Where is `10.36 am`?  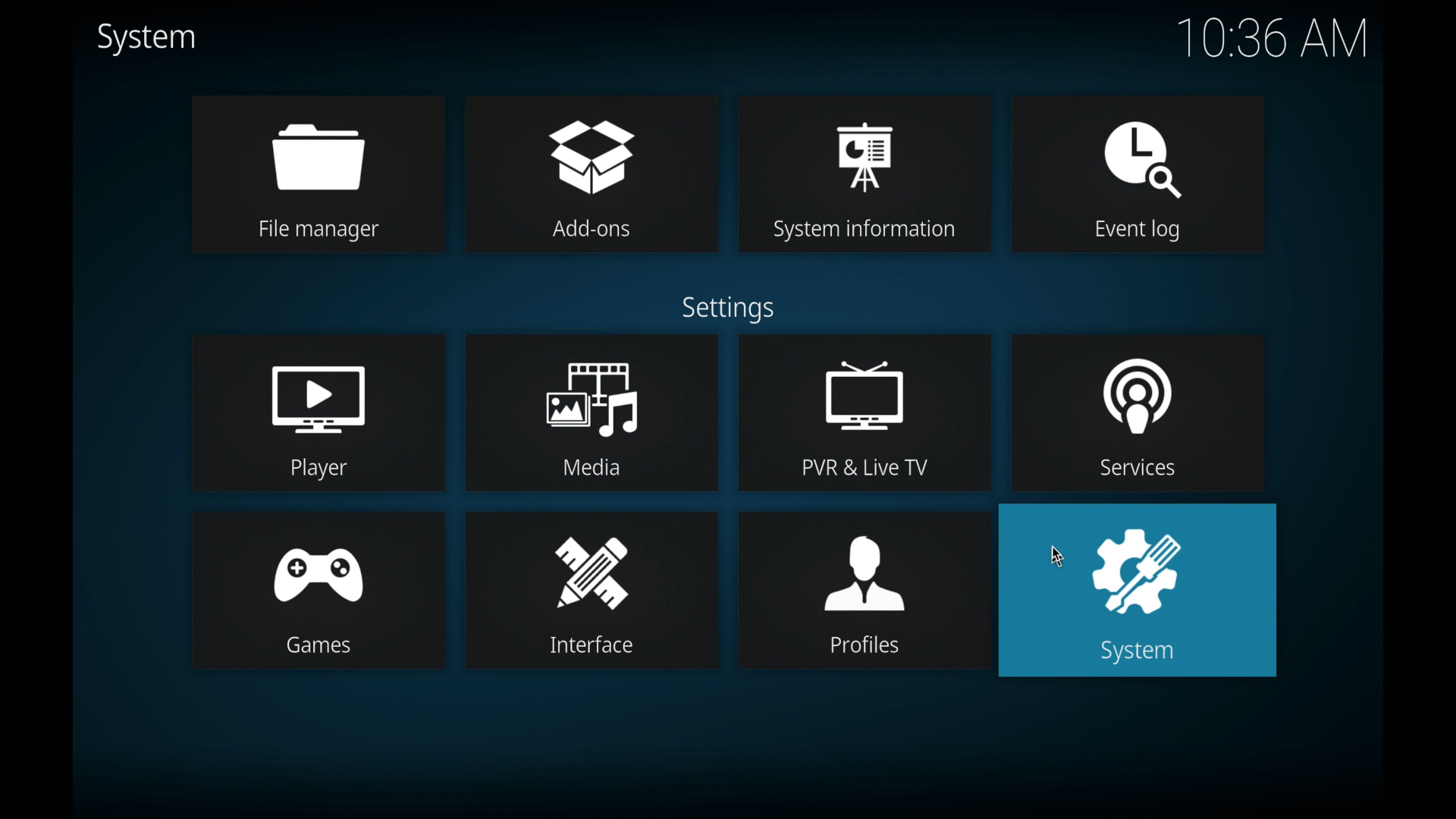 10.36 am is located at coordinates (1274, 36).